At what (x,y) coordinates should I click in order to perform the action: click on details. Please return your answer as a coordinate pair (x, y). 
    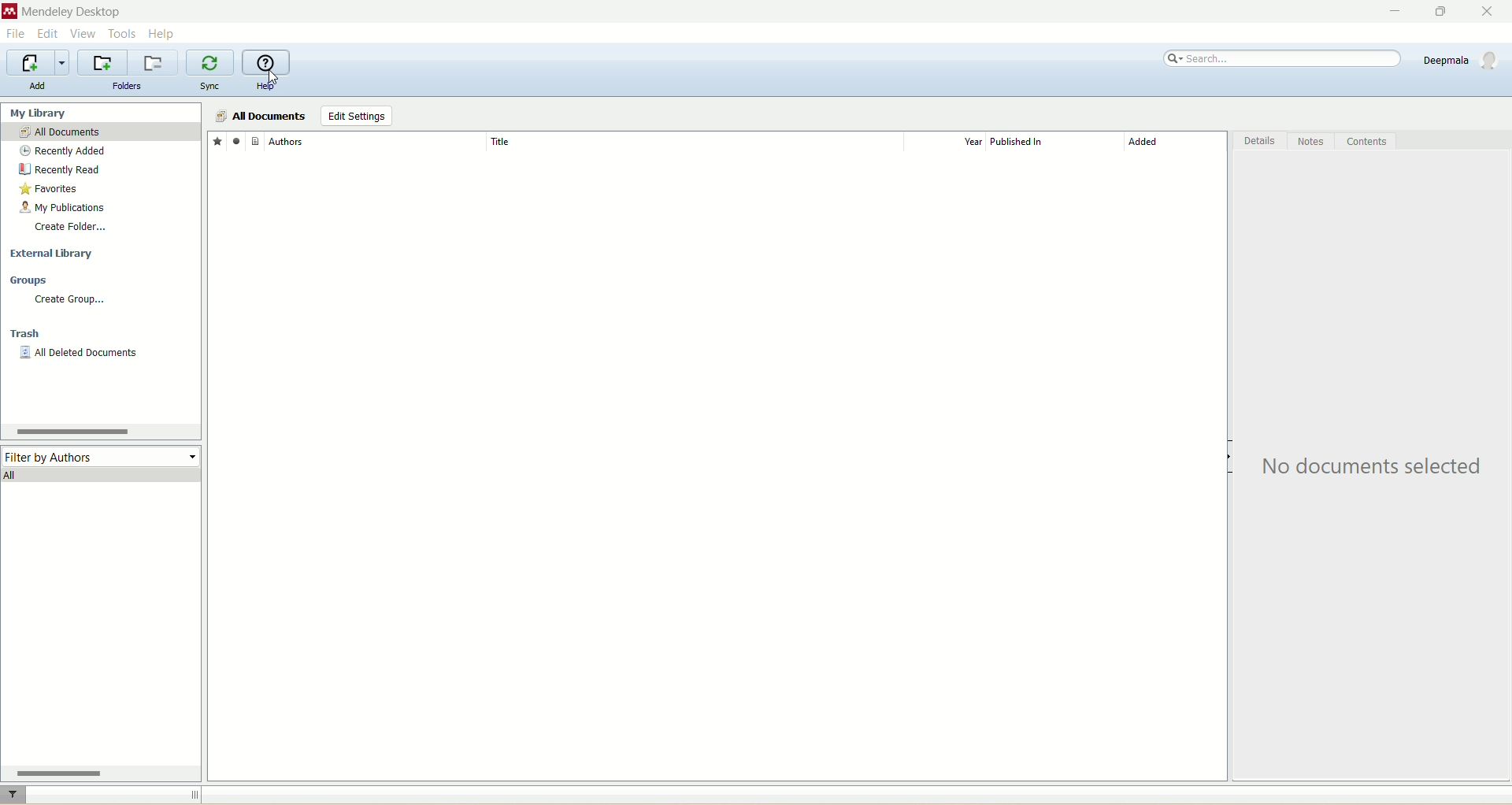
    Looking at the image, I should click on (1258, 141).